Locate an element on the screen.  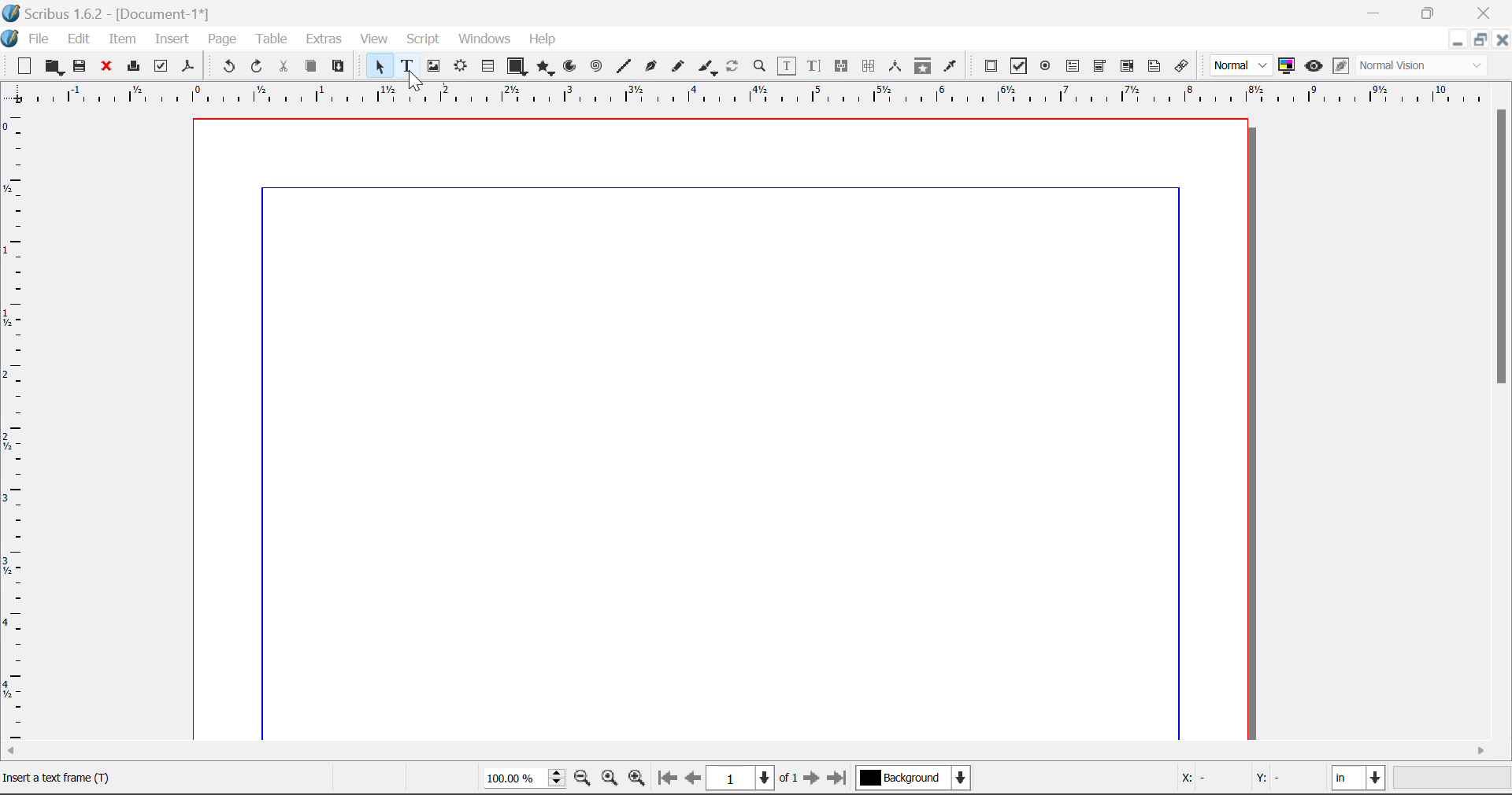
Redo is located at coordinates (260, 67).